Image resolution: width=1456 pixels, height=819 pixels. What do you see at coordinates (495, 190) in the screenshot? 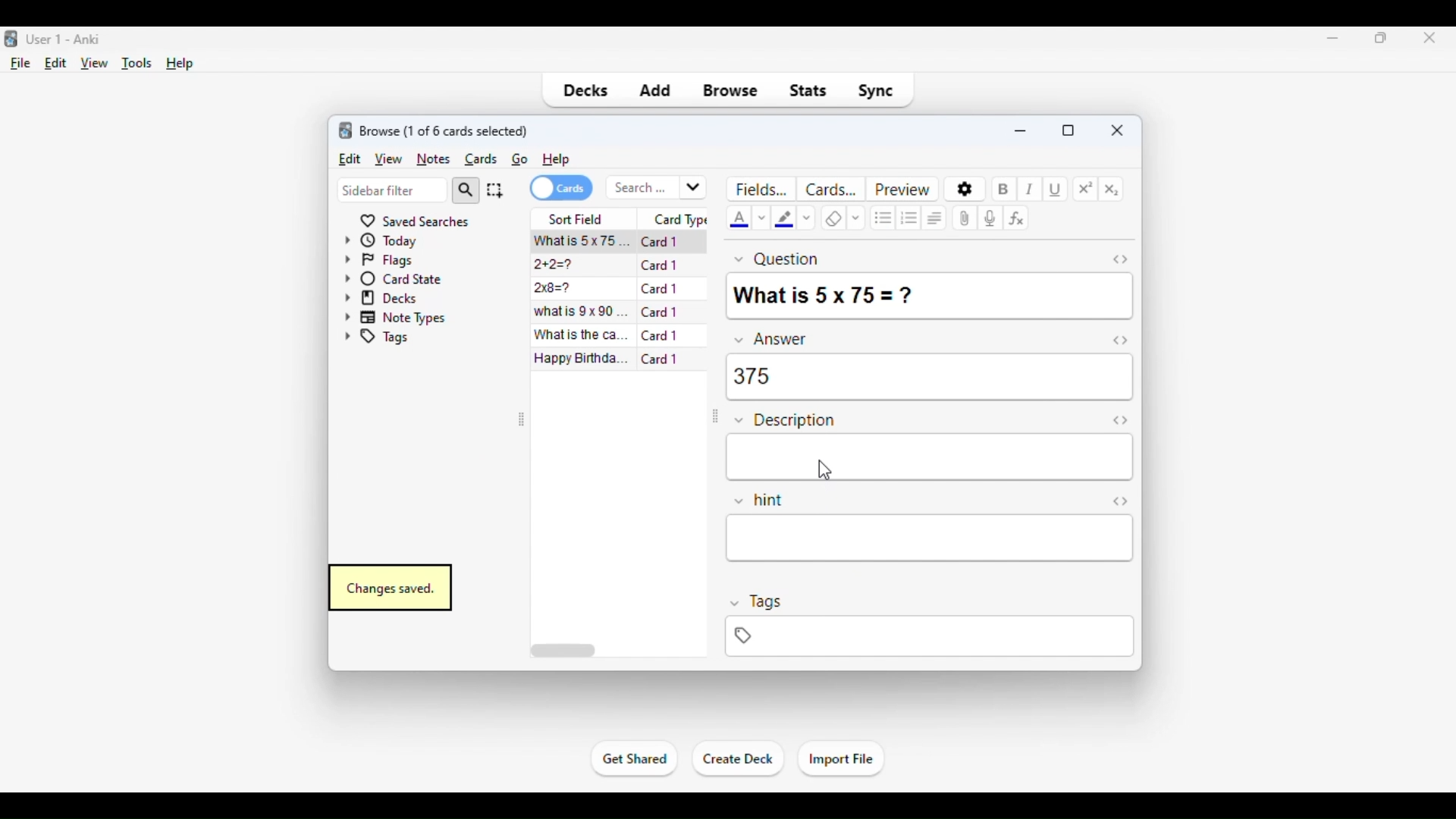
I see `select` at bounding box center [495, 190].